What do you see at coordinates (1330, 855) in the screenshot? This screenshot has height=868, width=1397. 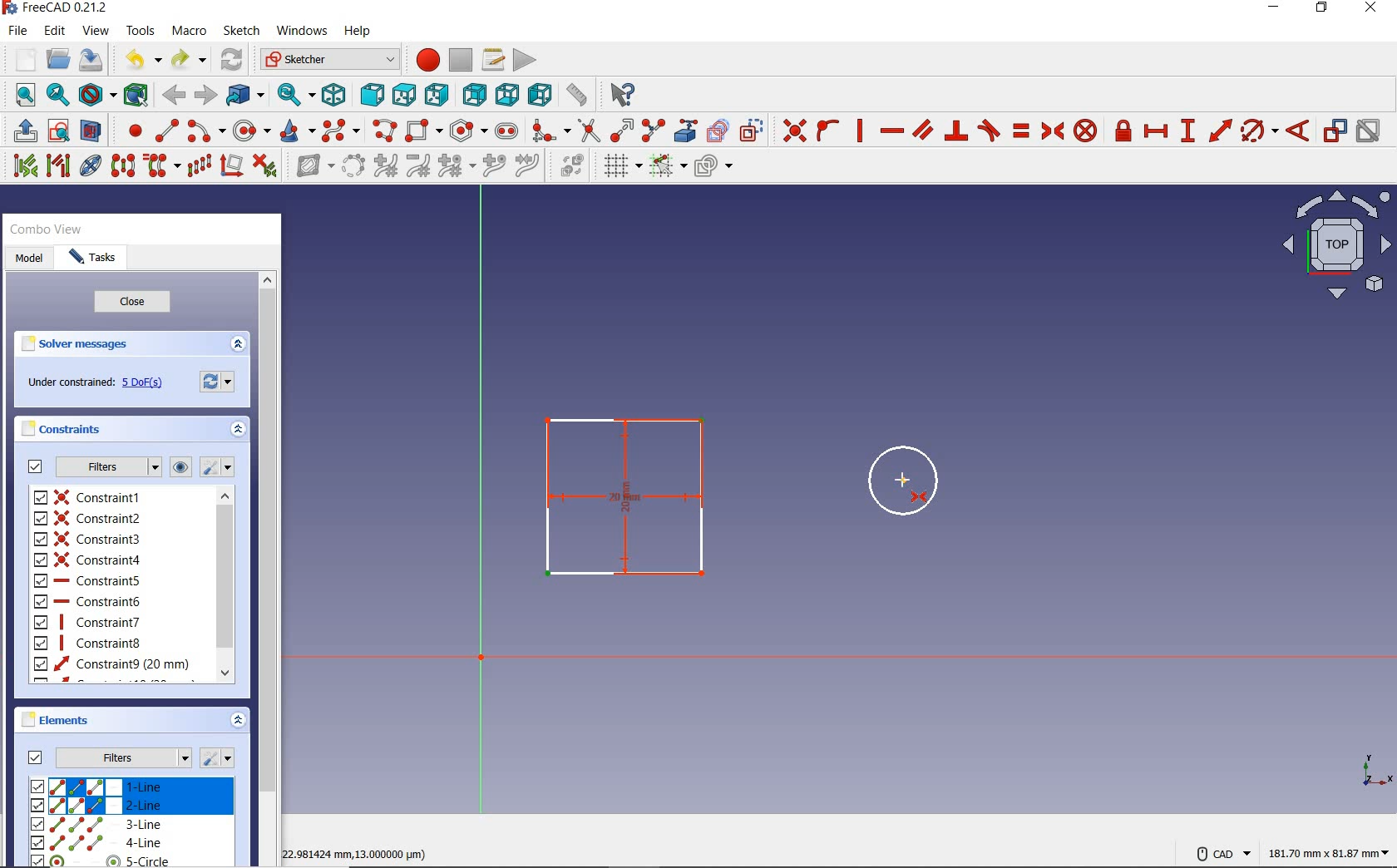 I see `181.70 mm x 81.87` at bounding box center [1330, 855].